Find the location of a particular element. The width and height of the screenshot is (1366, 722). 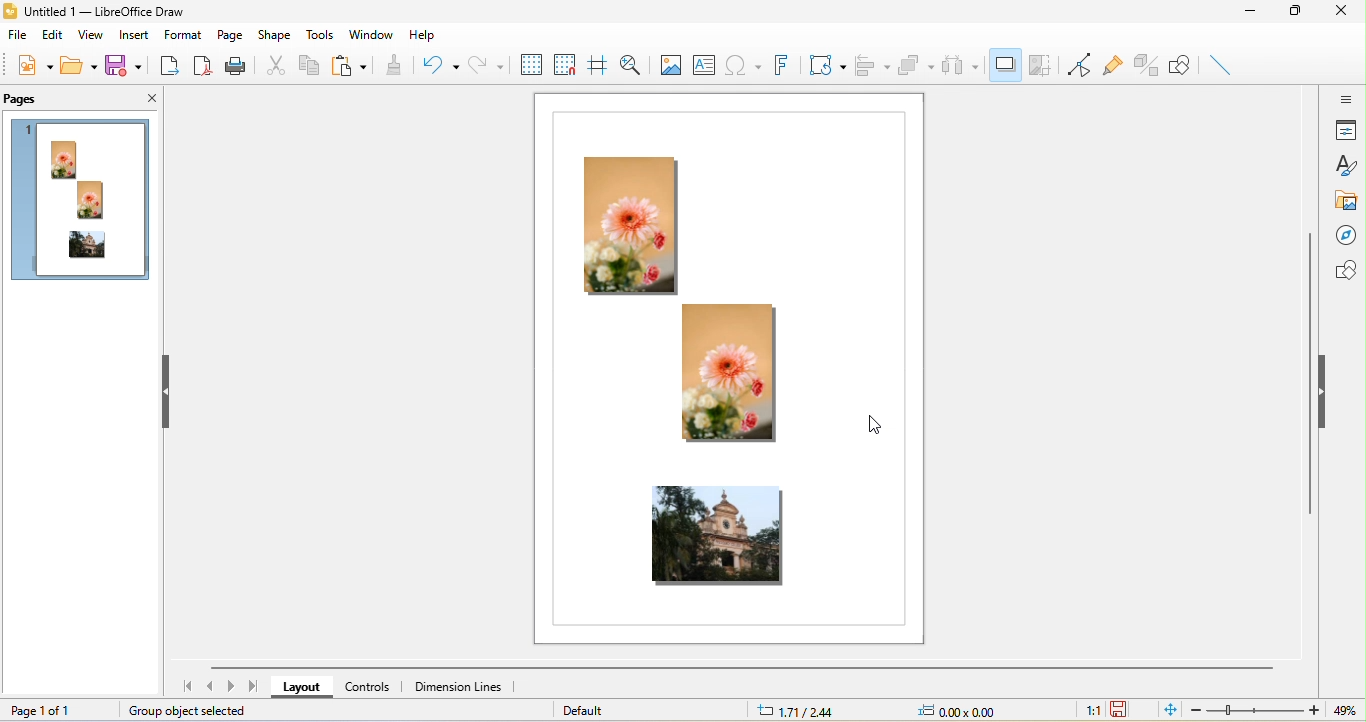

first page is located at coordinates (184, 687).